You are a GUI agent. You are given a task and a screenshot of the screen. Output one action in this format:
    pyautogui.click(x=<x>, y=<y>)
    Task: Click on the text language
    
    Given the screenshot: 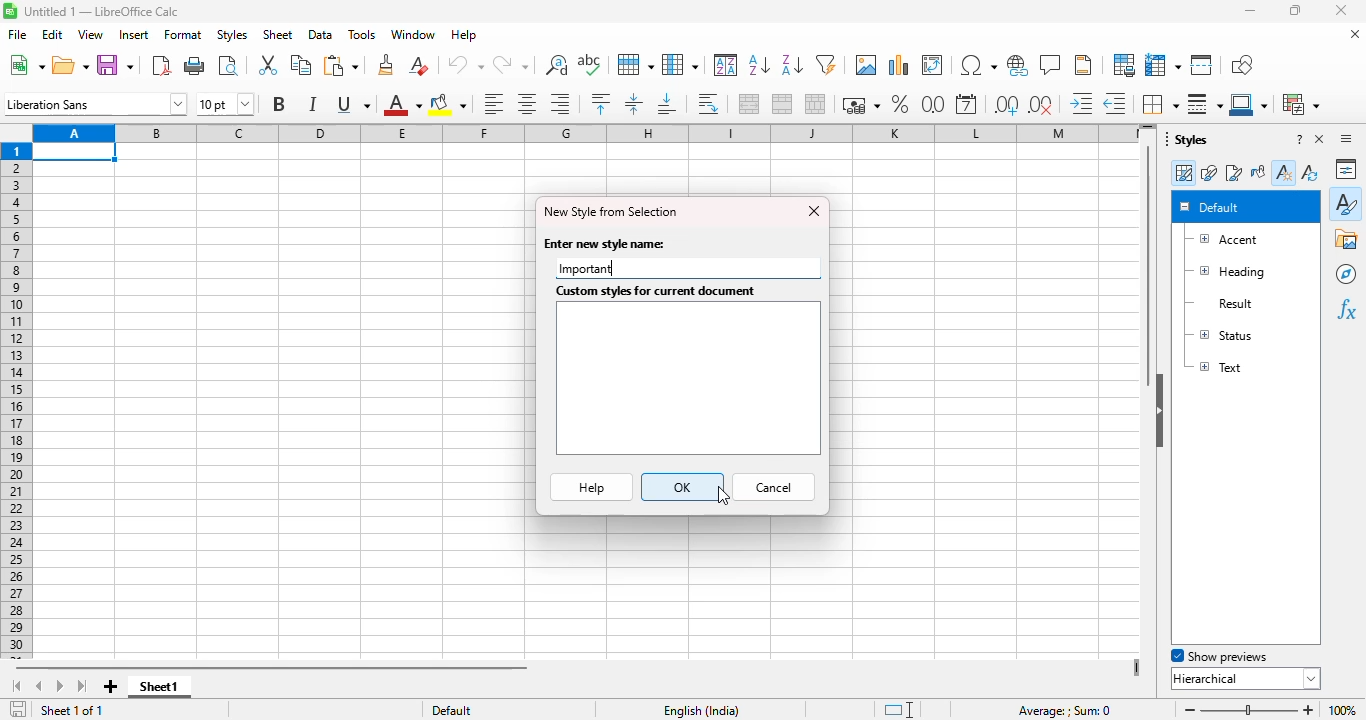 What is the action you would take?
    pyautogui.click(x=700, y=711)
    